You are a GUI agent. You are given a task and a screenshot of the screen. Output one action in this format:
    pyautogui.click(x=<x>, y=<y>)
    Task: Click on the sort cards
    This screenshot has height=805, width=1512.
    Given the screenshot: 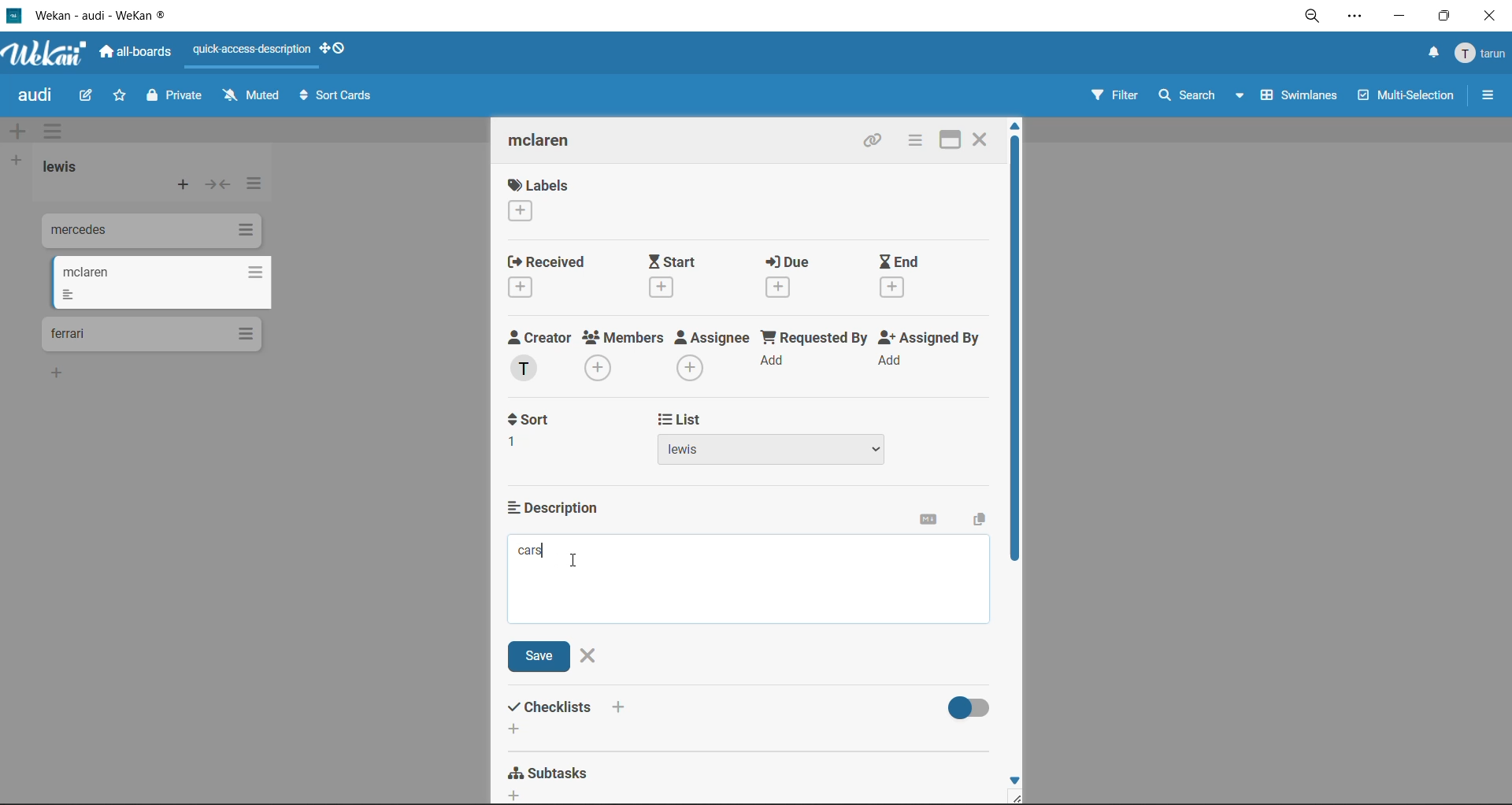 What is the action you would take?
    pyautogui.click(x=335, y=99)
    